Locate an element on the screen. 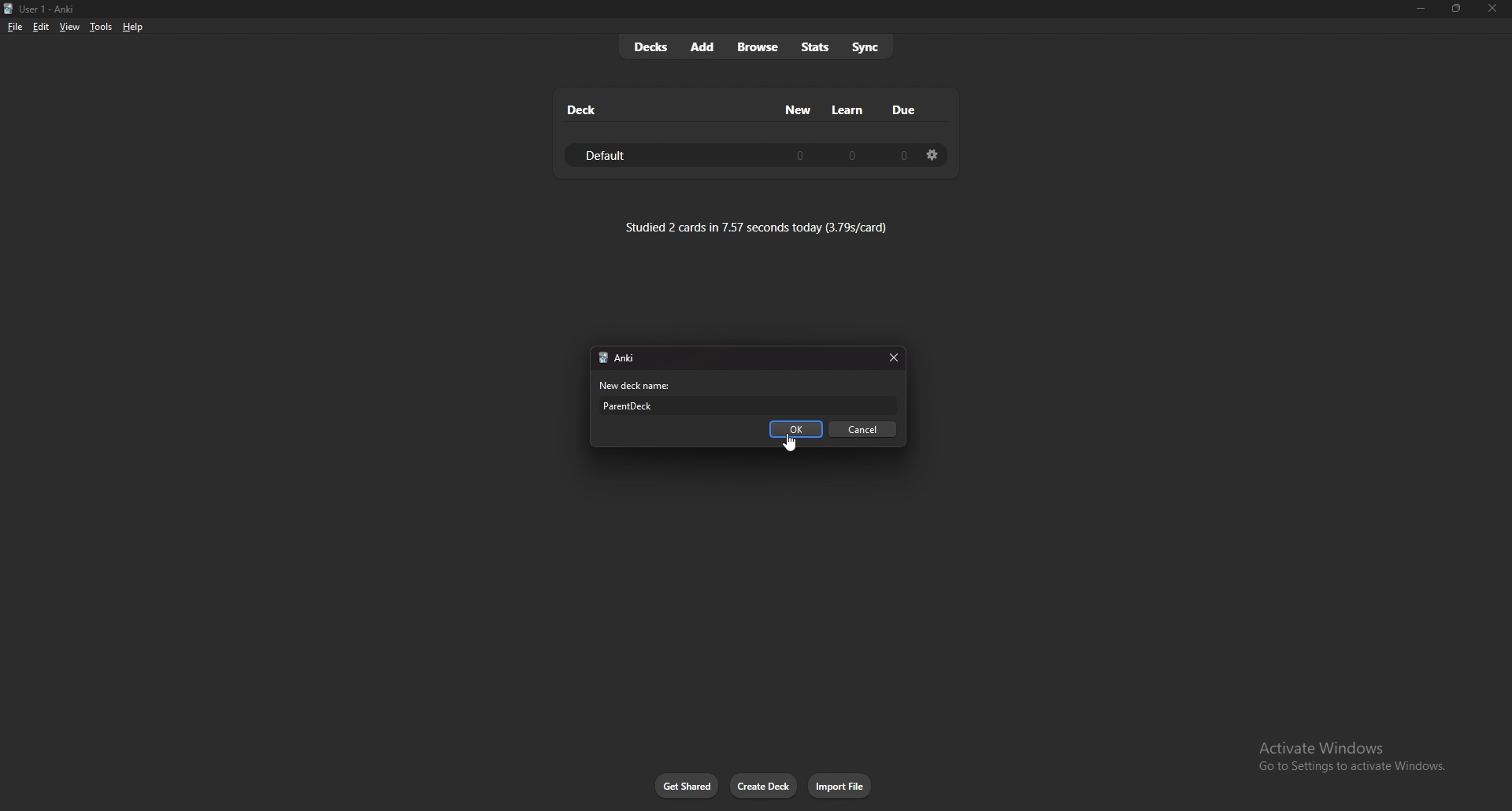  deck is located at coordinates (583, 109).